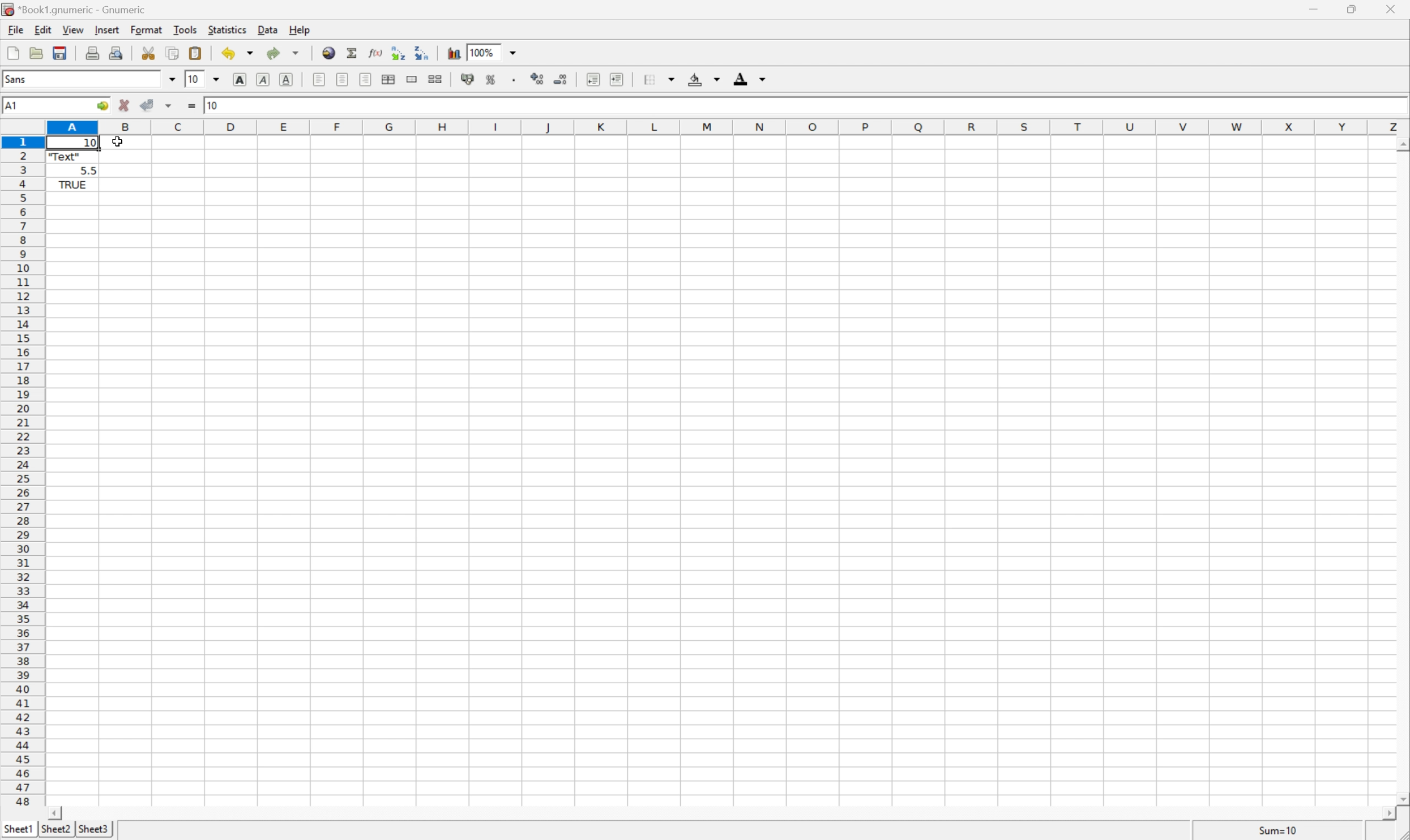  I want to click on Scroll Left, so click(54, 812).